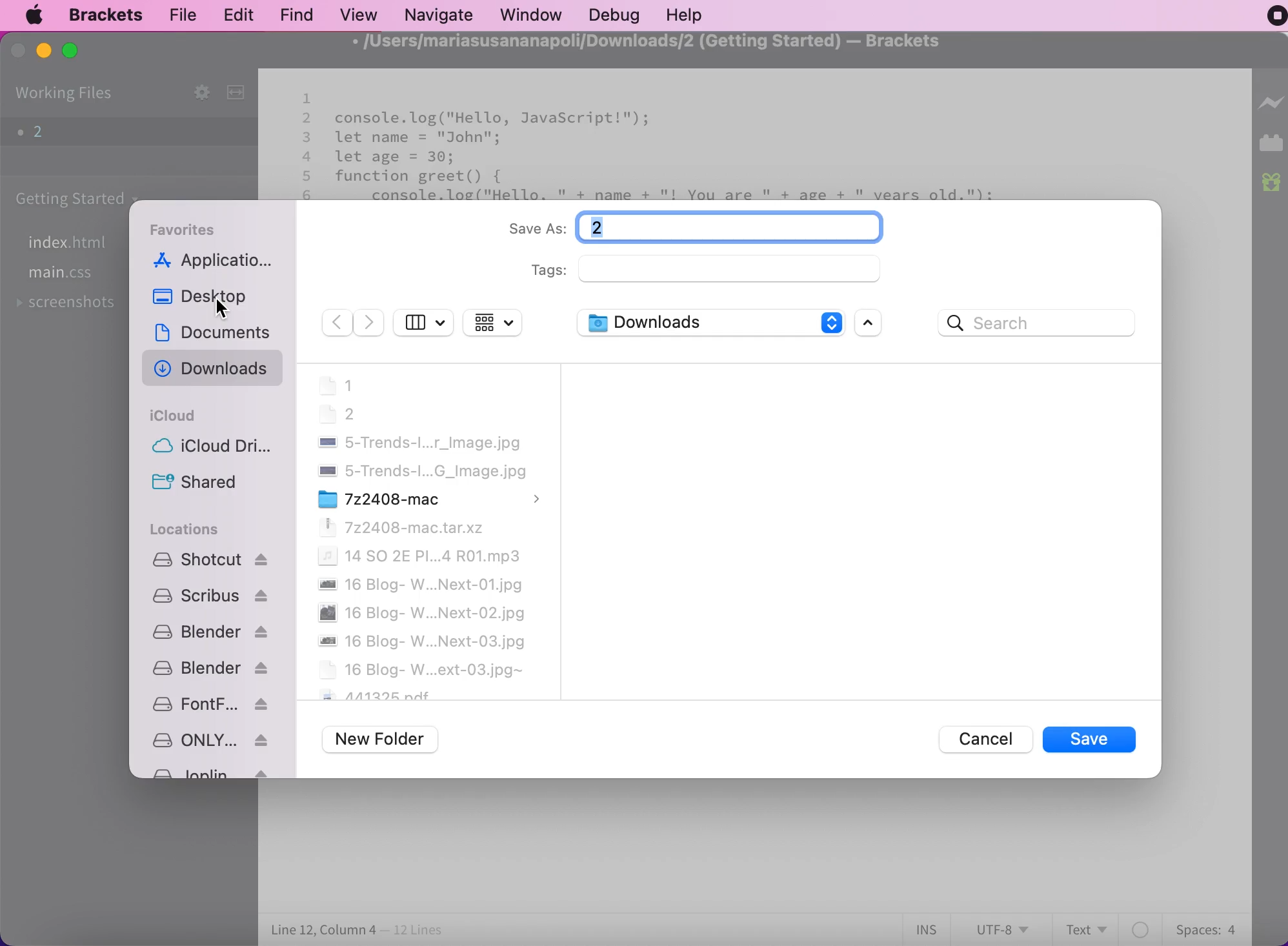  I want to click on search, so click(1041, 320).